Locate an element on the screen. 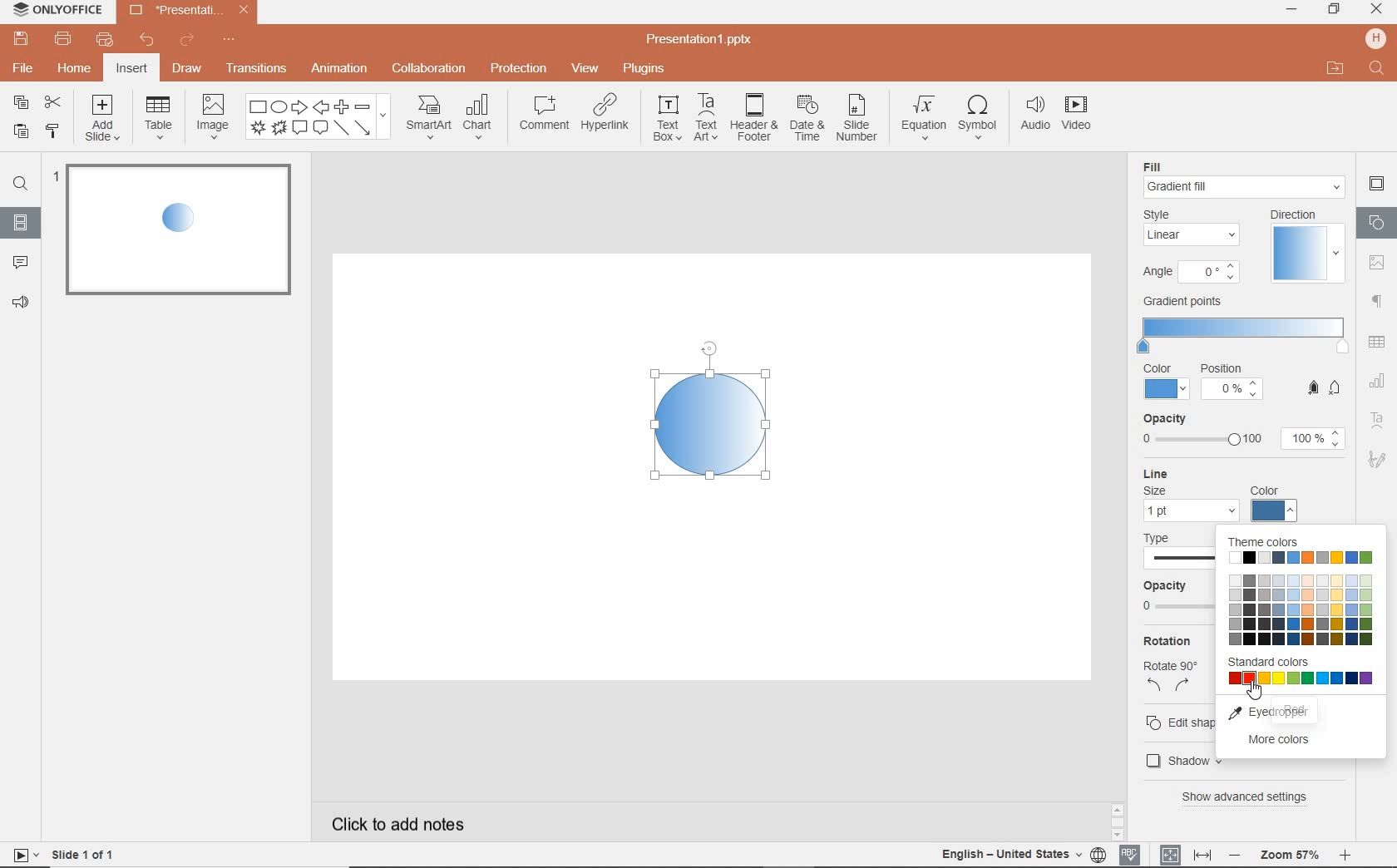 This screenshot has width=1397, height=868. text box is located at coordinates (667, 118).